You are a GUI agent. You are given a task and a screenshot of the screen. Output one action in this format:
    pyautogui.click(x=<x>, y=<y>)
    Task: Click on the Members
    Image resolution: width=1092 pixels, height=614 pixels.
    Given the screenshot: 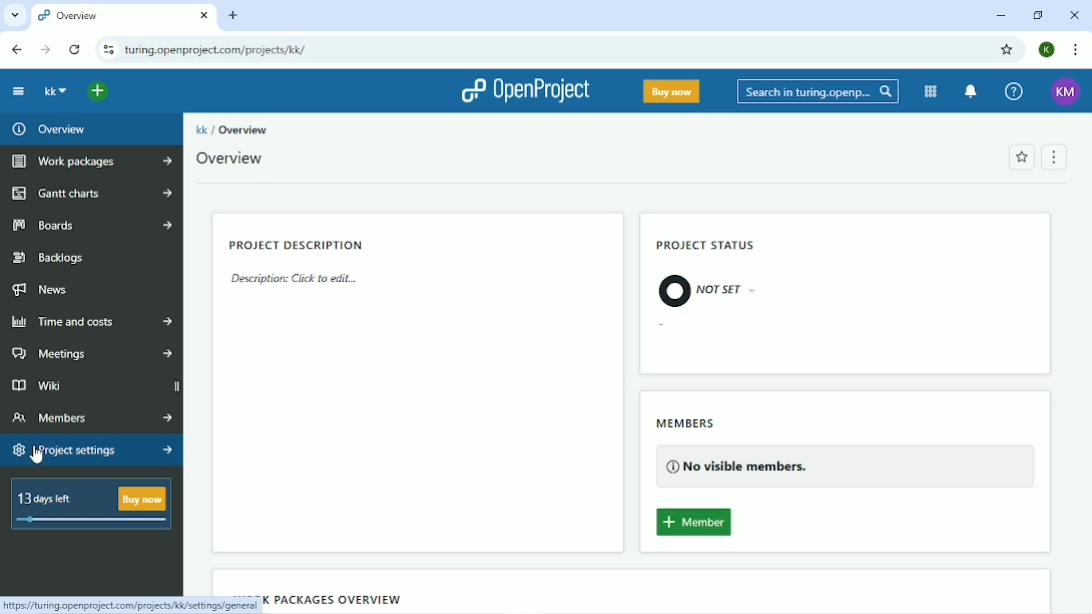 What is the action you would take?
    pyautogui.click(x=91, y=418)
    